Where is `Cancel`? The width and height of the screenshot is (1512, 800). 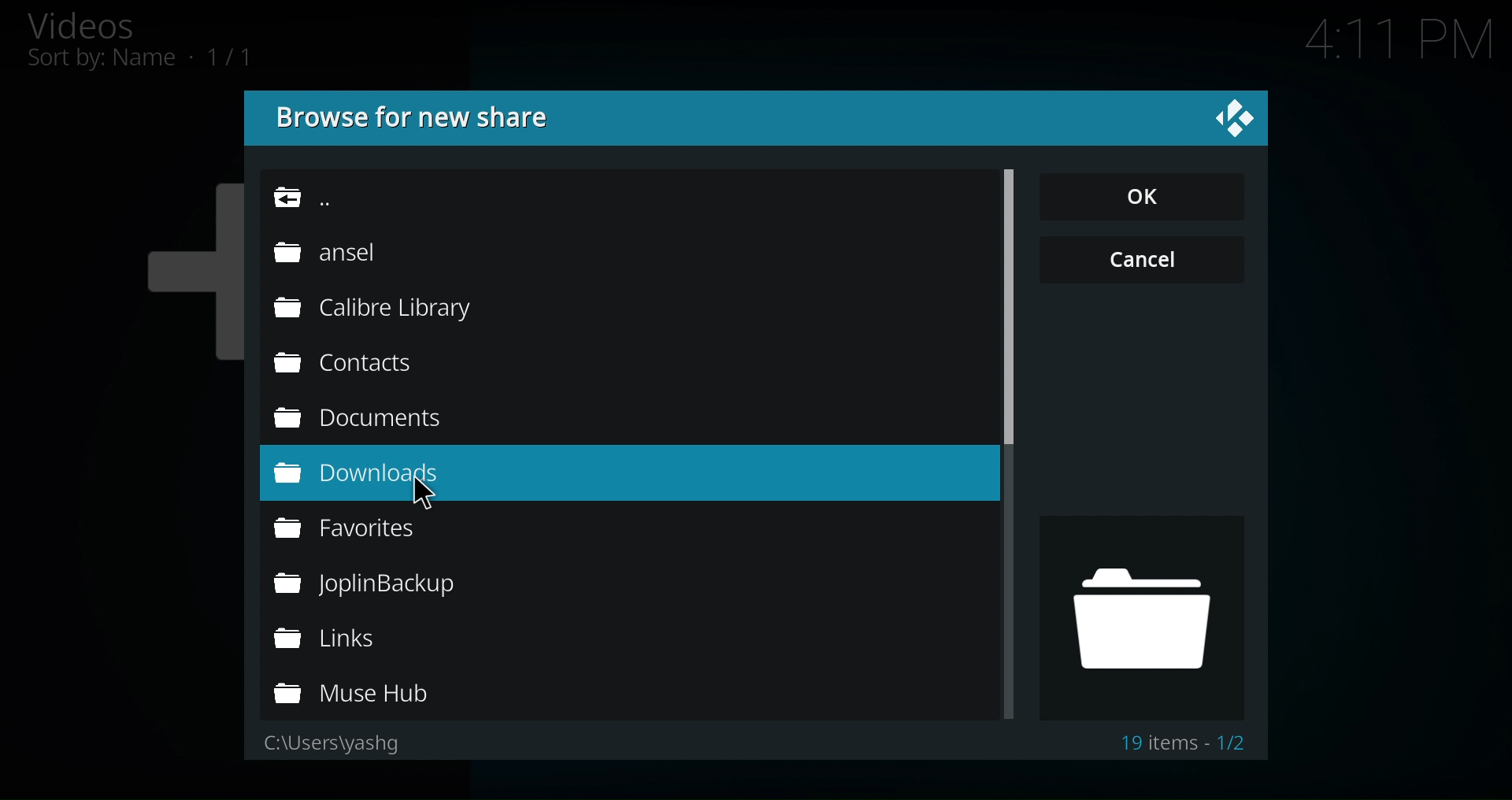
Cancel is located at coordinates (1138, 260).